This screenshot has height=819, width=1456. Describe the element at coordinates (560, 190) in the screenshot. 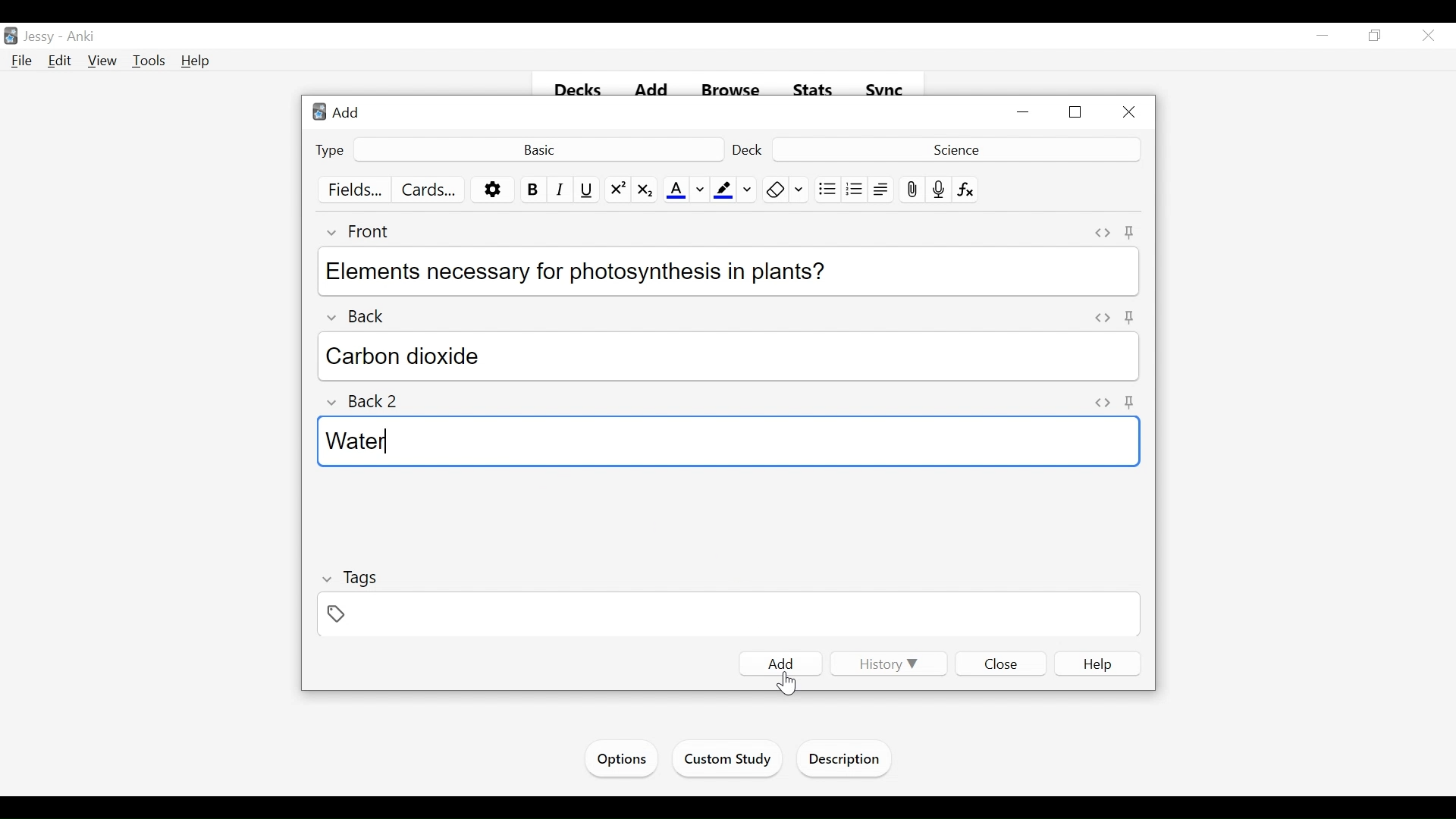

I see `Italics` at that location.